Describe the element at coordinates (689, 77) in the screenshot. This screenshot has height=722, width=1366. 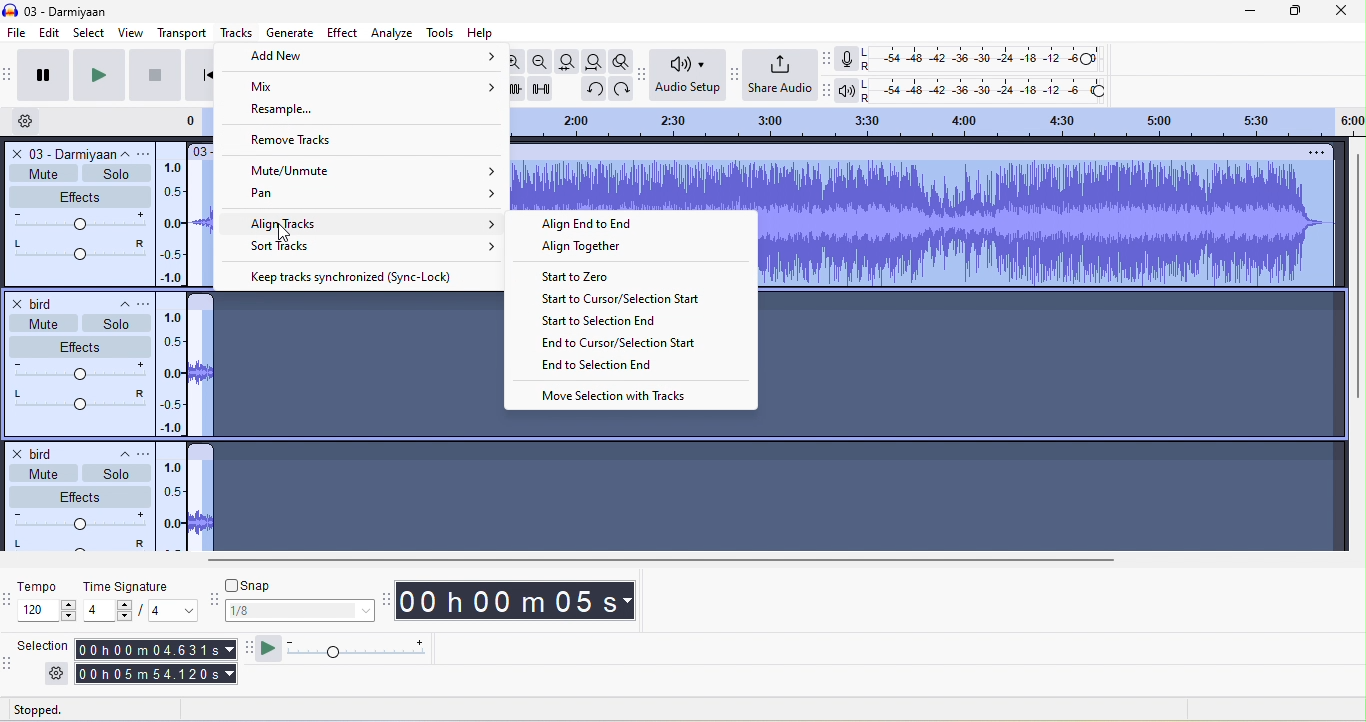
I see `audio setup` at that location.